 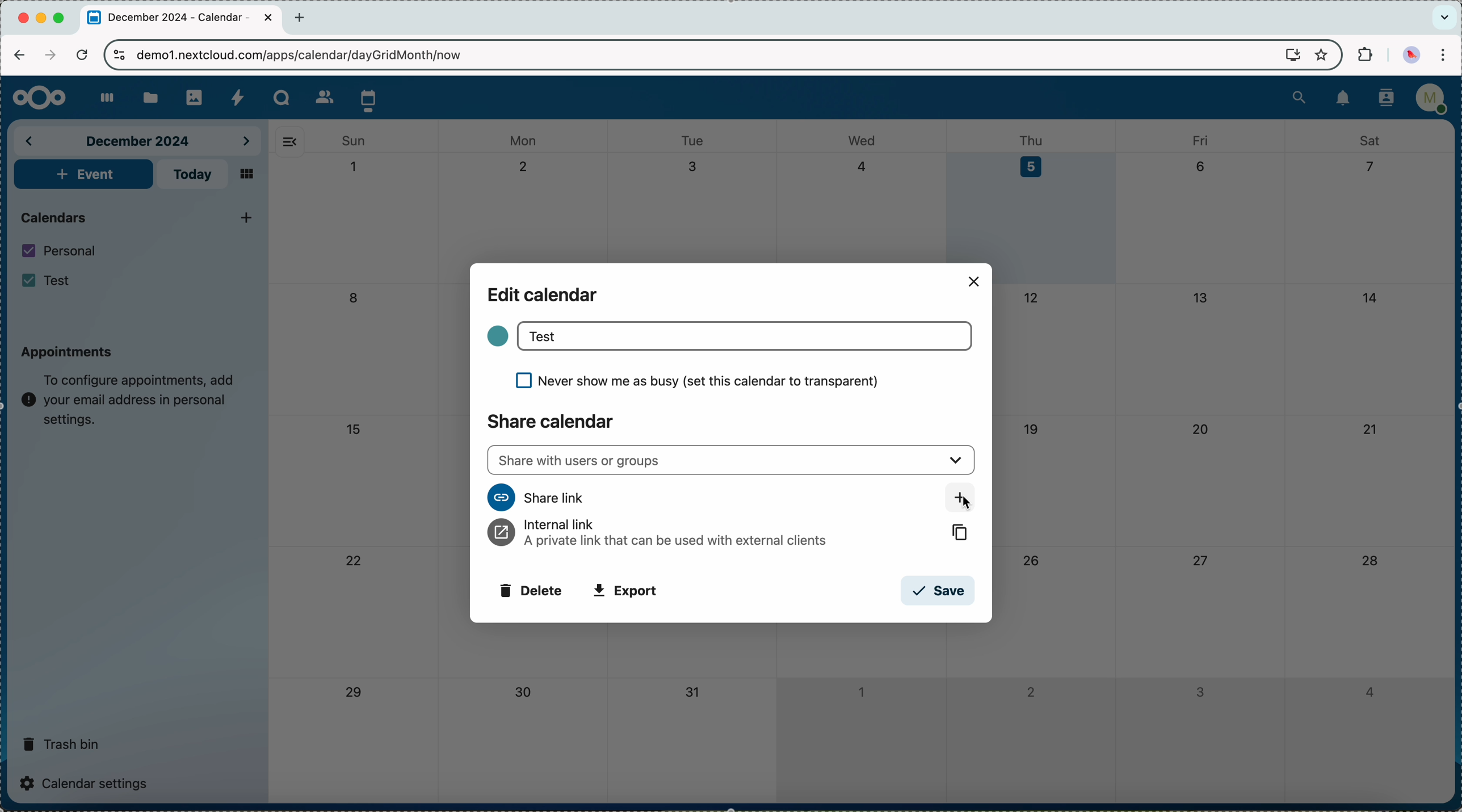 I want to click on trash bin, so click(x=62, y=740).